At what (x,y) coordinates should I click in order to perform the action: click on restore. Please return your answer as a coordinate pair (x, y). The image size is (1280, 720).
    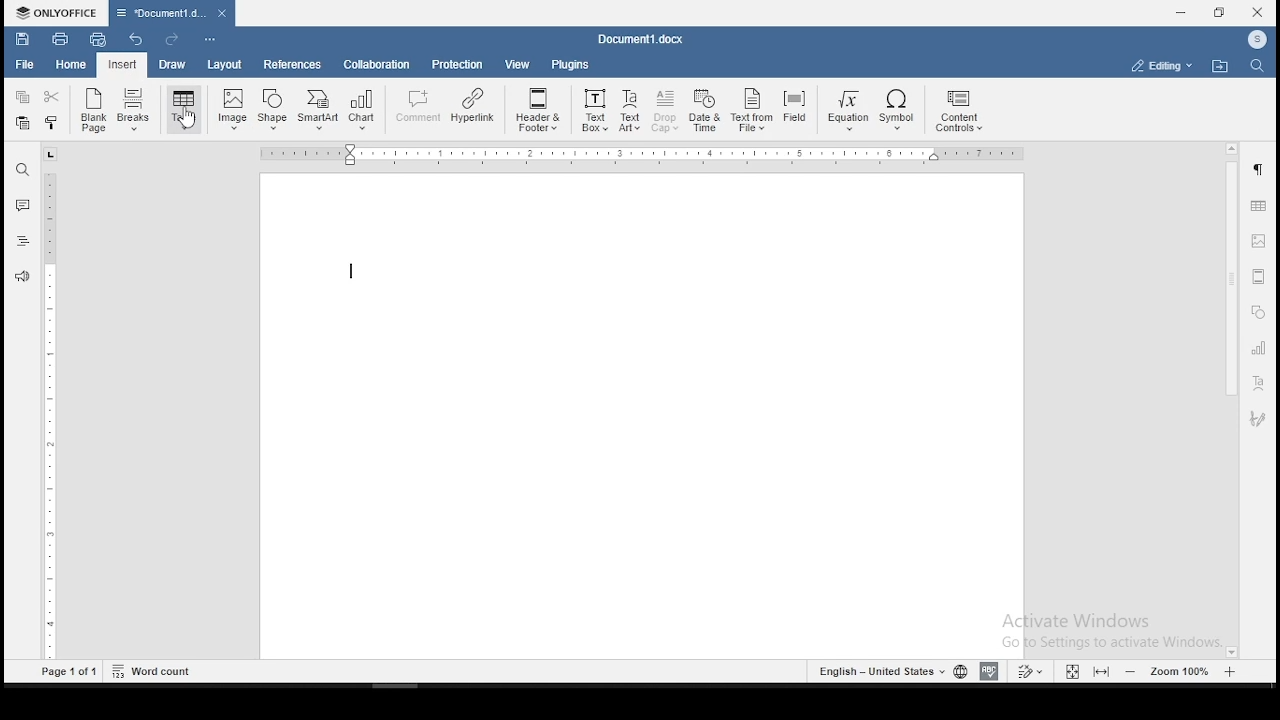
    Looking at the image, I should click on (1219, 13).